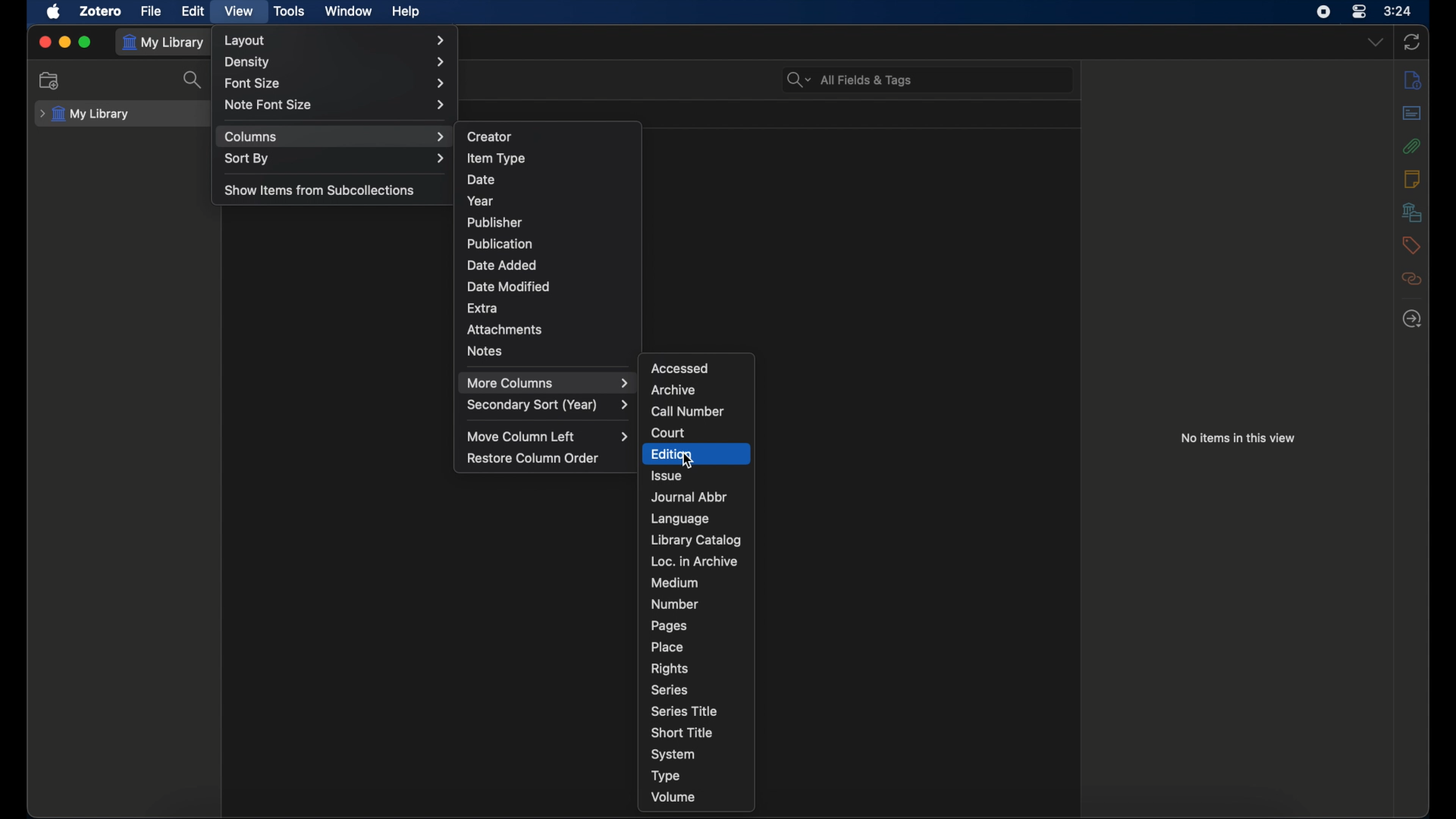  I want to click on date, so click(482, 180).